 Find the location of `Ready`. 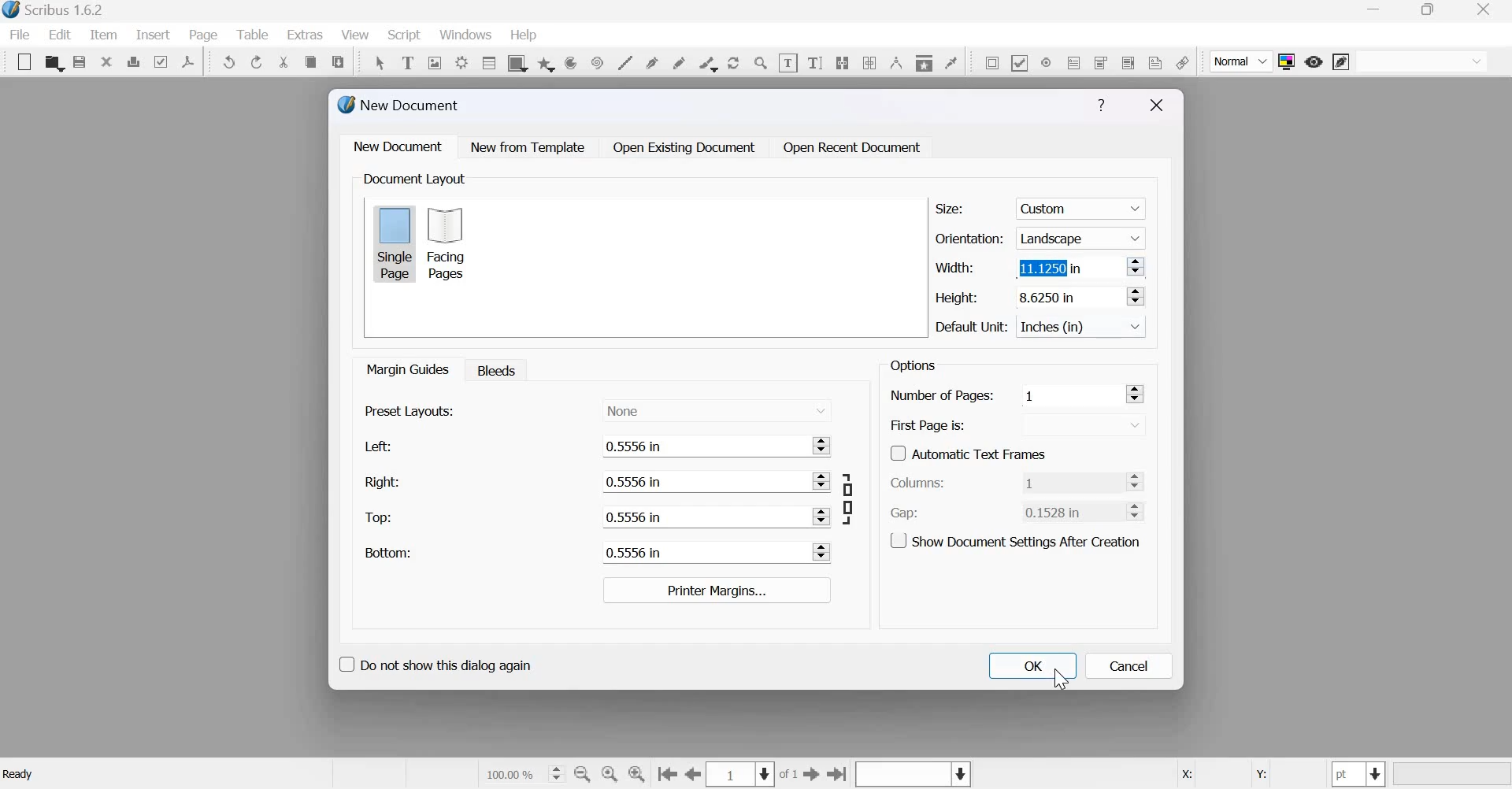

Ready is located at coordinates (20, 774).